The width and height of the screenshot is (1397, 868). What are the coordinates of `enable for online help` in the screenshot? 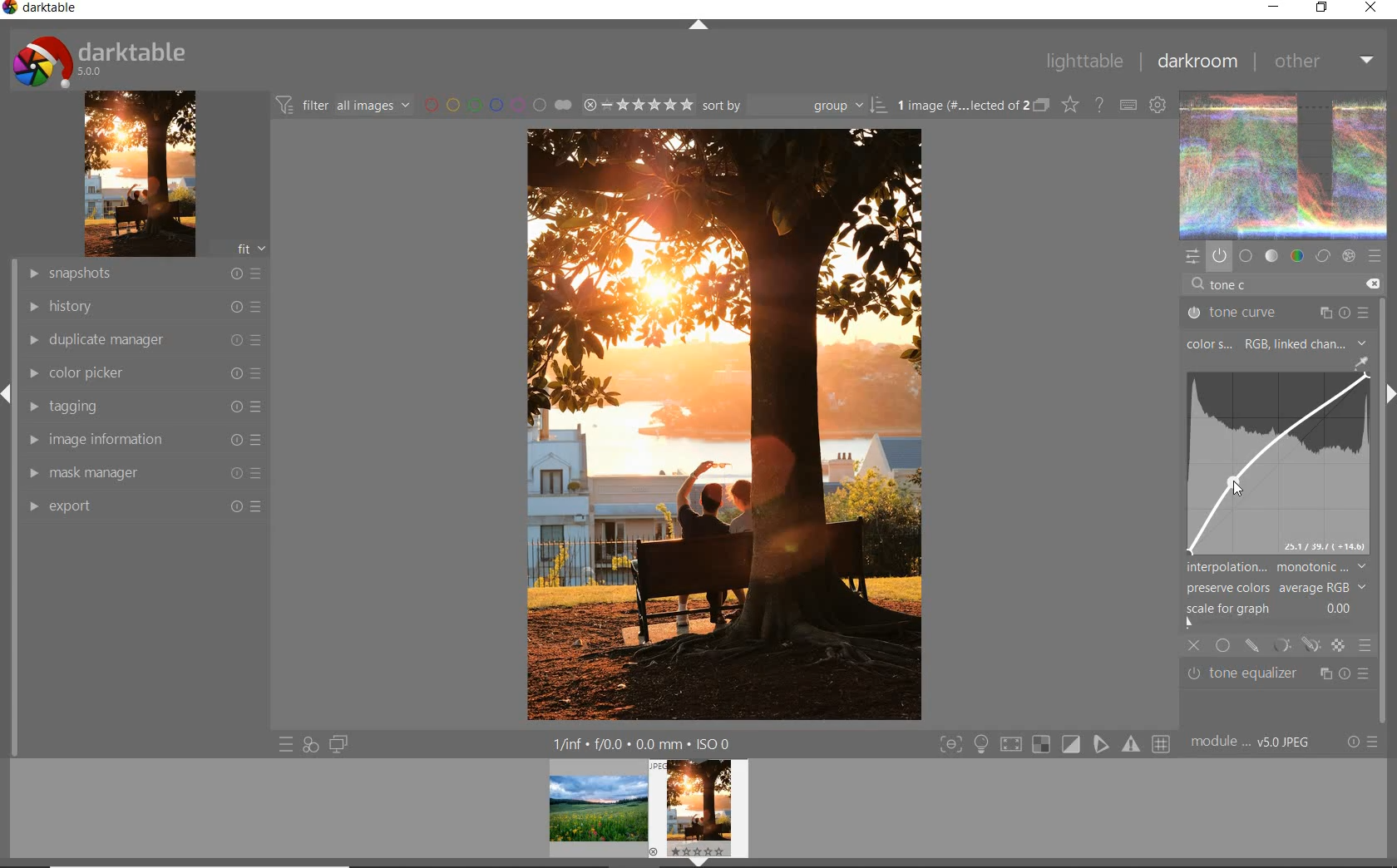 It's located at (1102, 106).